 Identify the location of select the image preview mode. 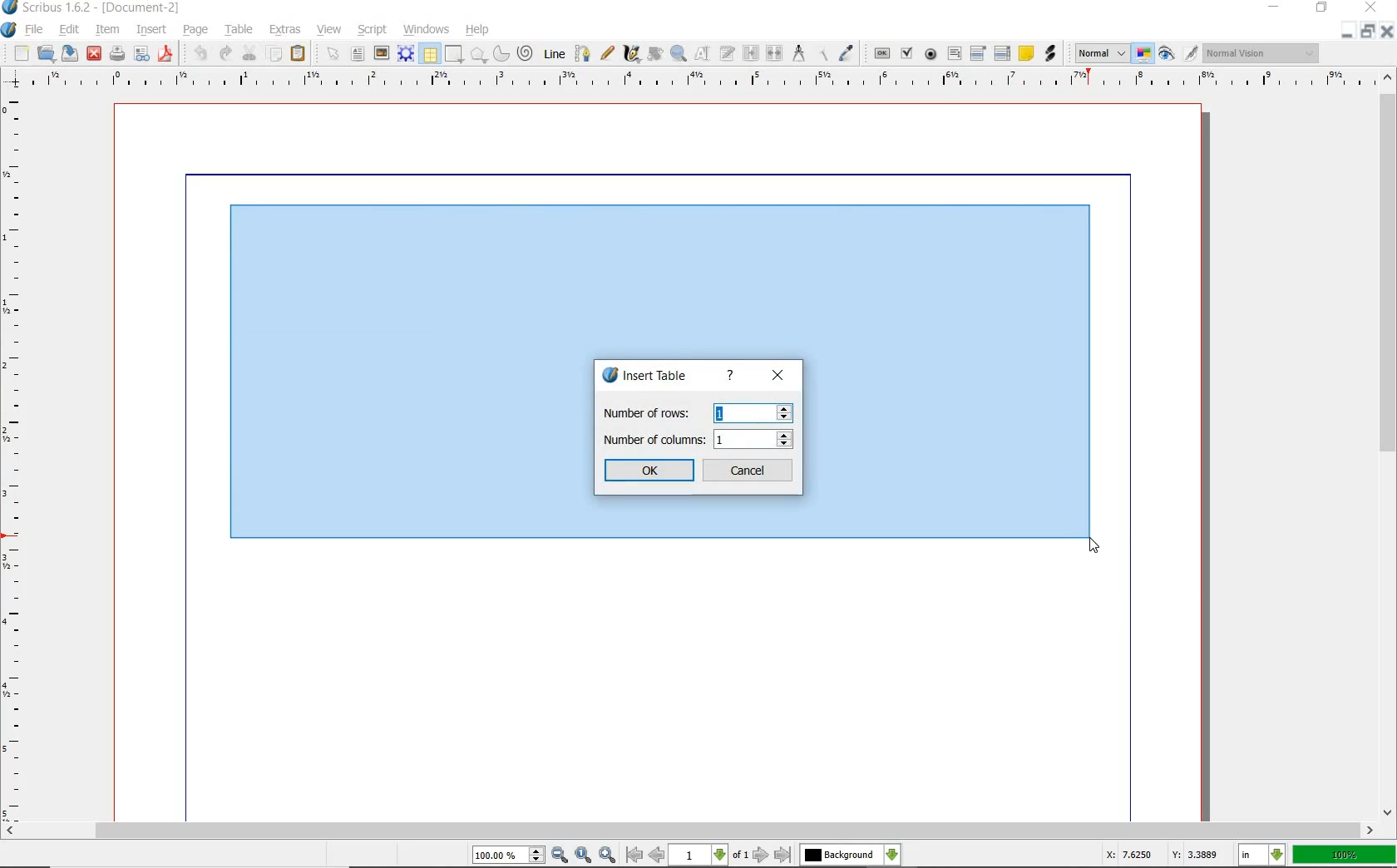
(1098, 53).